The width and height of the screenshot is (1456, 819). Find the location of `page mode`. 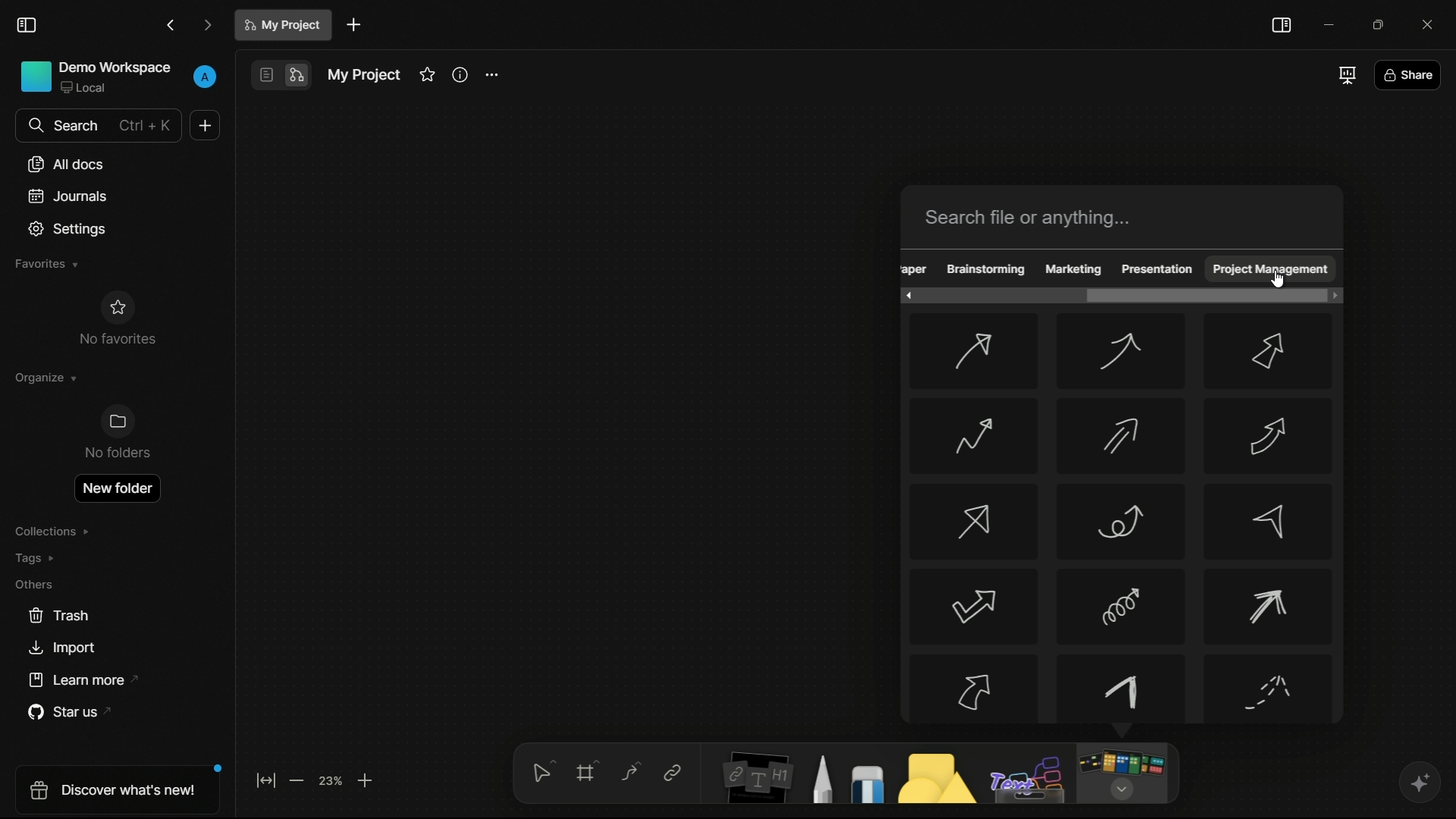

page mode is located at coordinates (265, 75).